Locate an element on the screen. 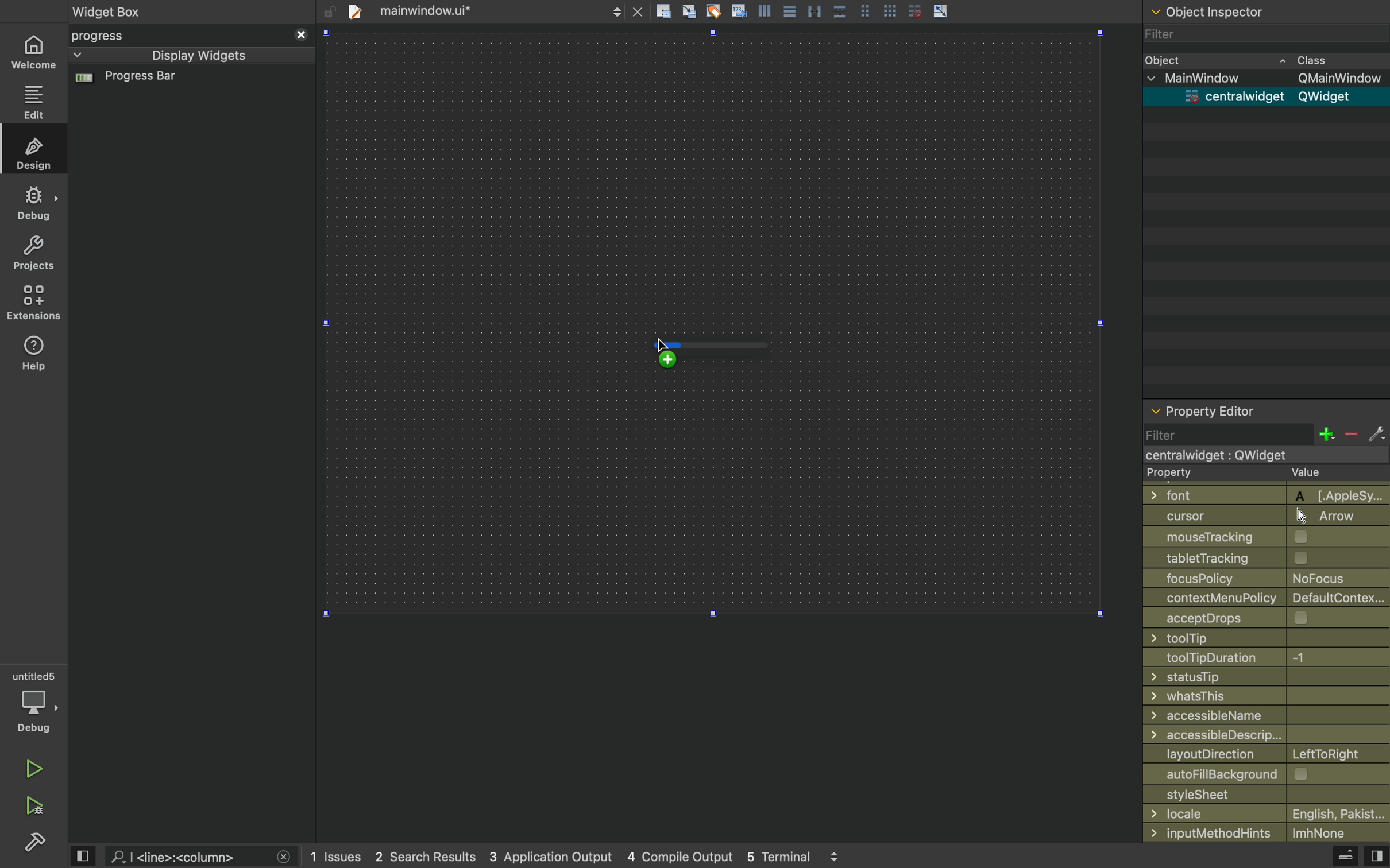 The image size is (1390, 868). autofillbackground is located at coordinates (1269, 774).